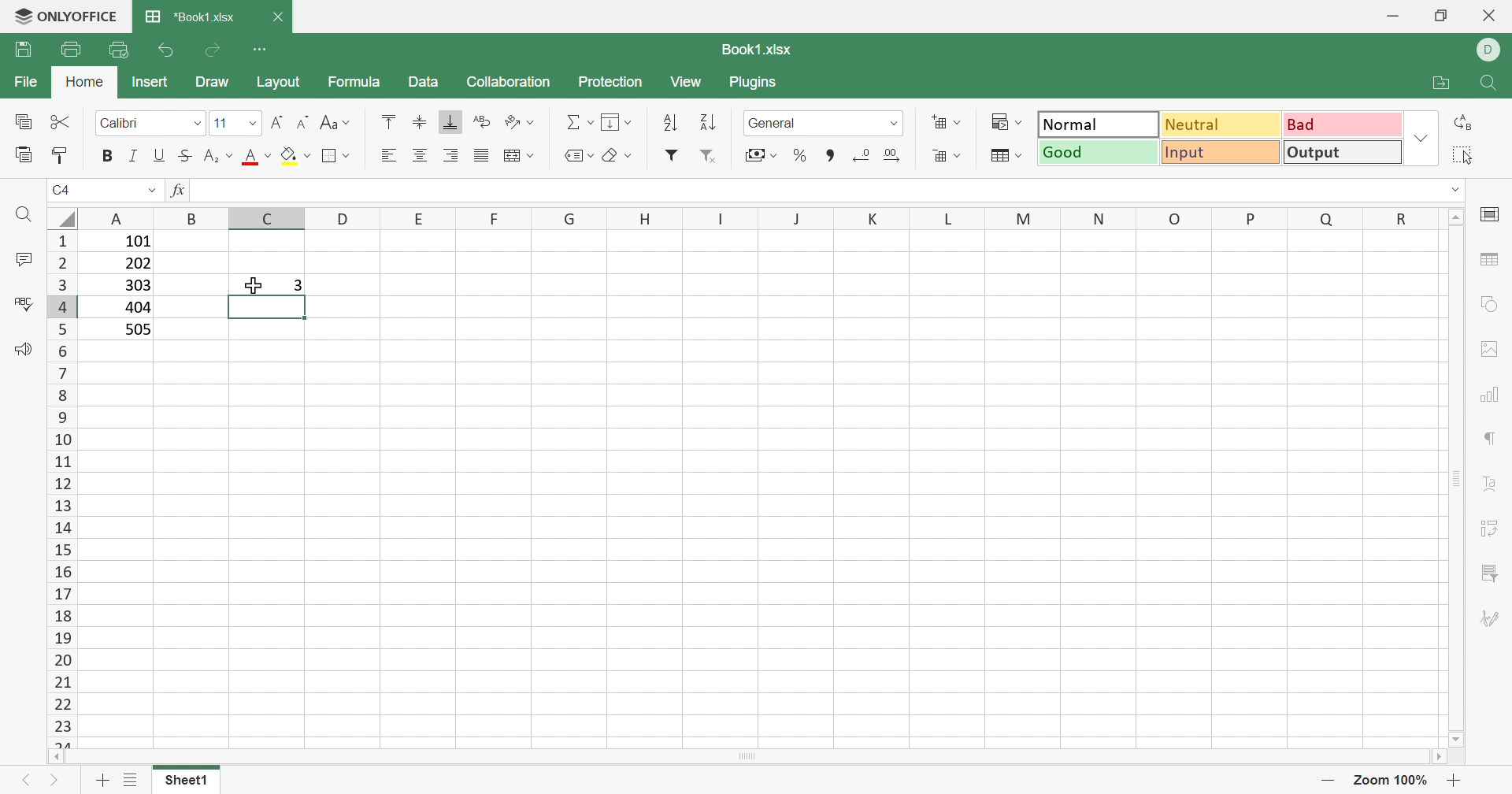 The height and width of the screenshot is (794, 1512). What do you see at coordinates (450, 157) in the screenshot?
I see `Align Right` at bounding box center [450, 157].